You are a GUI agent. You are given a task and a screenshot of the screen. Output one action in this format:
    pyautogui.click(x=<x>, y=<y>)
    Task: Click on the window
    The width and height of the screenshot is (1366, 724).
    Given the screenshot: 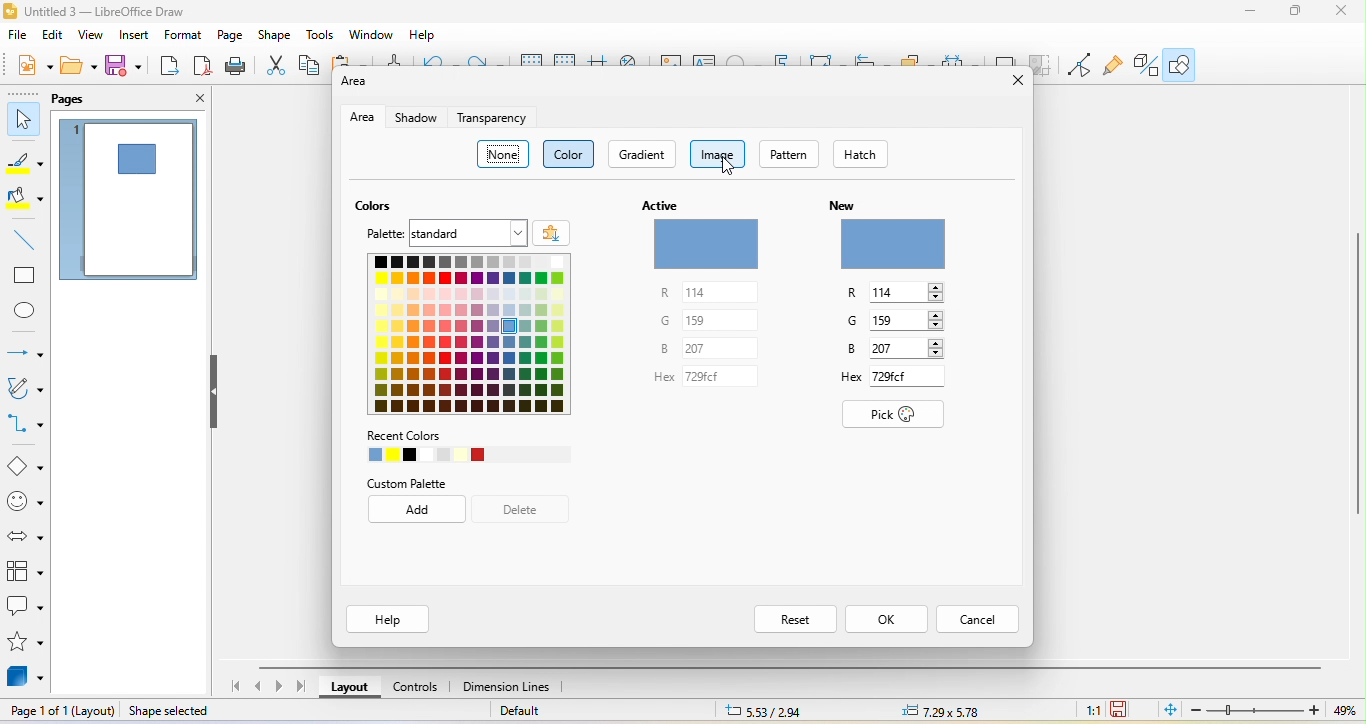 What is the action you would take?
    pyautogui.click(x=374, y=35)
    